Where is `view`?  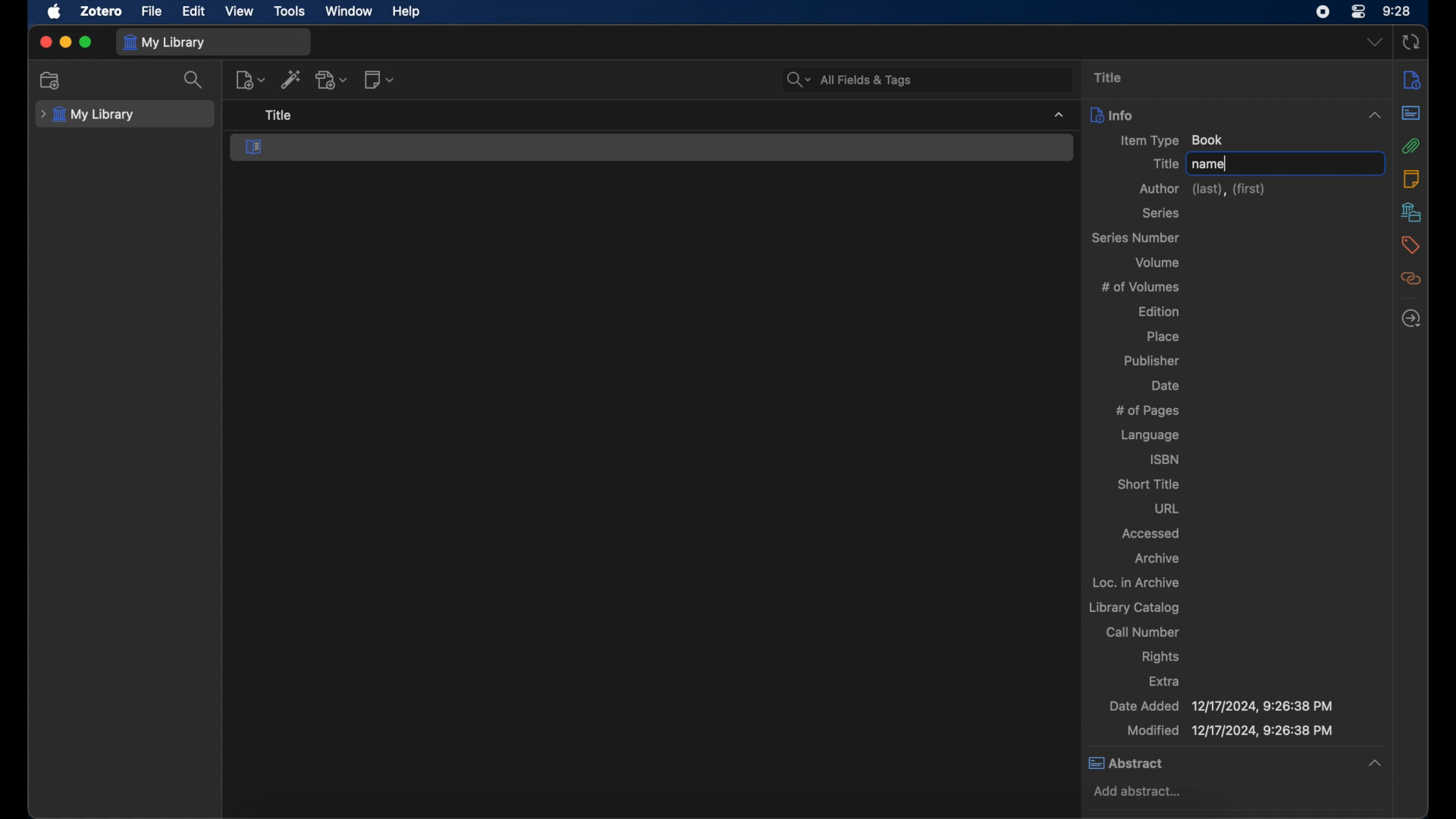
view is located at coordinates (240, 11).